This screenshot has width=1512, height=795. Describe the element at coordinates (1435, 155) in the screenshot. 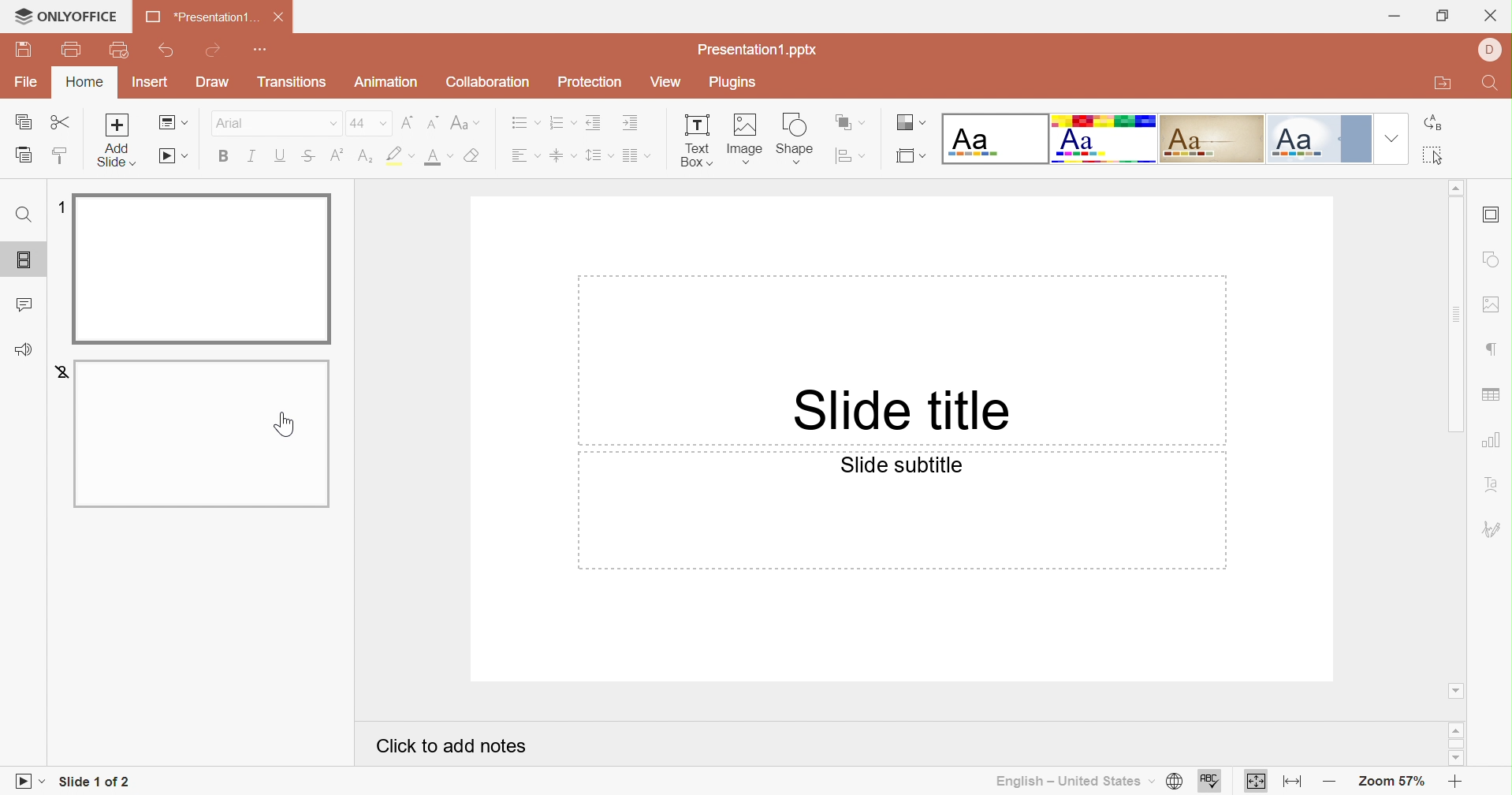

I see `Select all` at that location.